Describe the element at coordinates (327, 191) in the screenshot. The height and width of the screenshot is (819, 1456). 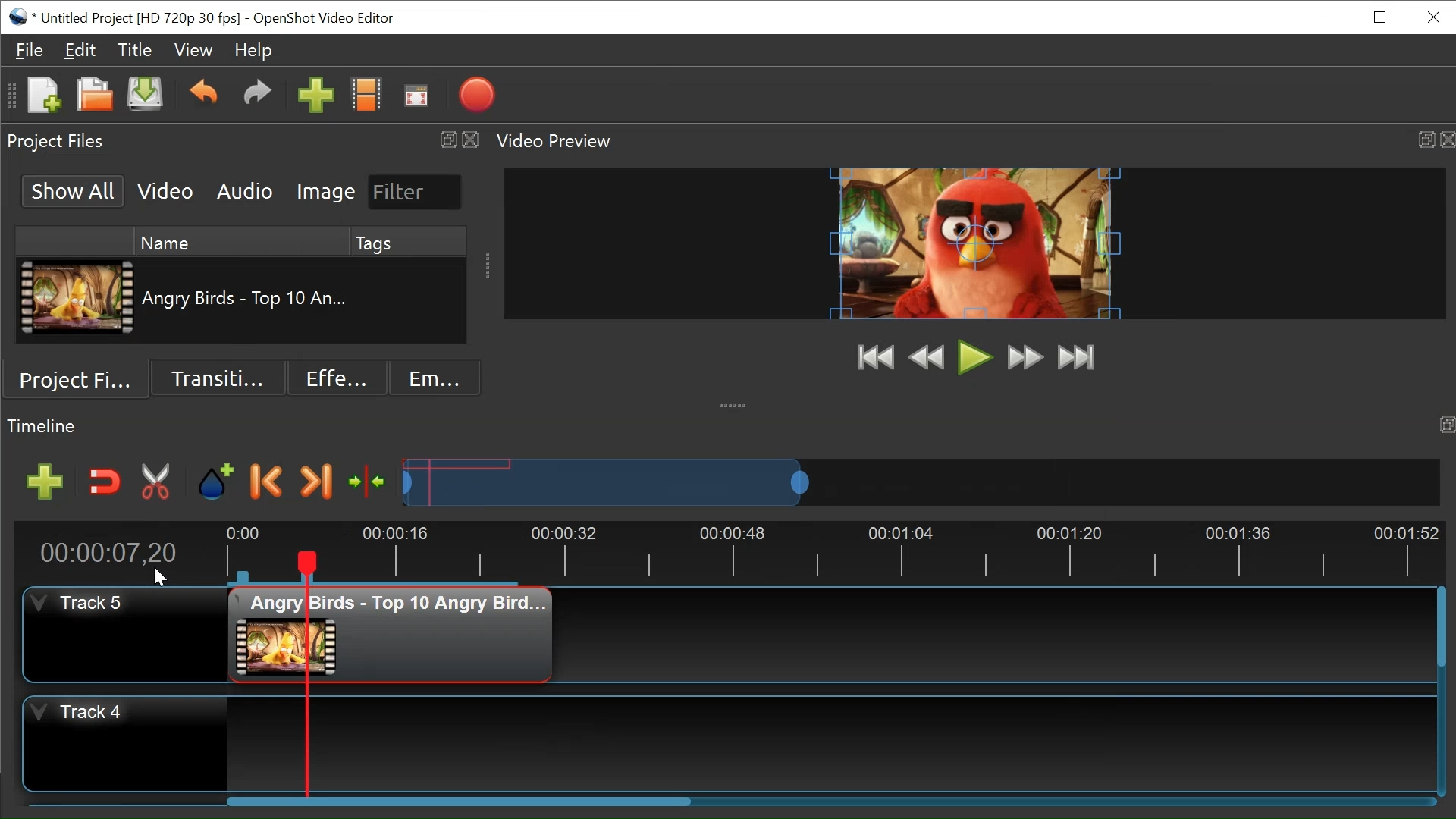
I see `Image` at that location.